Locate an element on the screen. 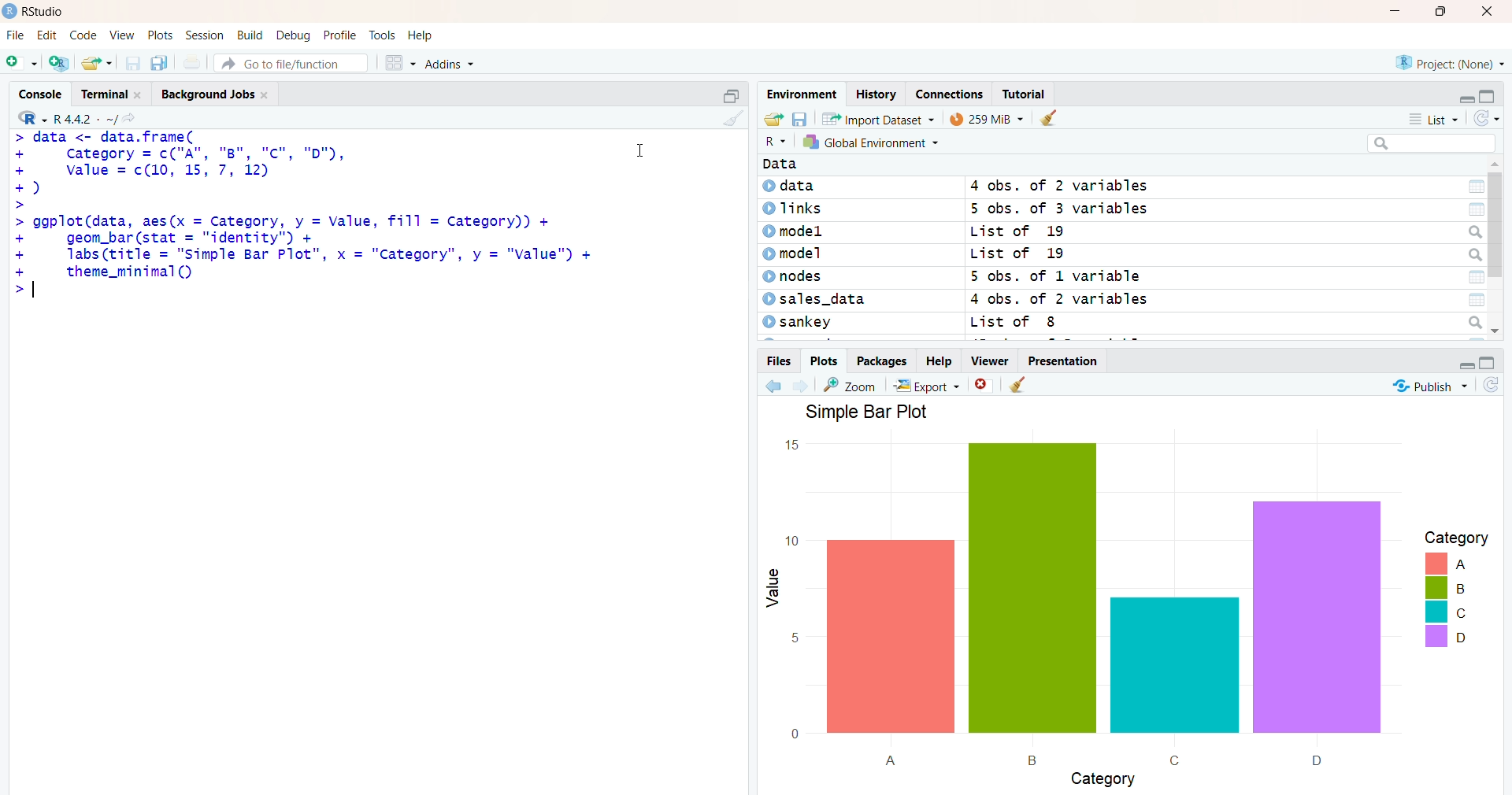 The width and height of the screenshot is (1512, 795). Simple bar plot is located at coordinates (1125, 596).